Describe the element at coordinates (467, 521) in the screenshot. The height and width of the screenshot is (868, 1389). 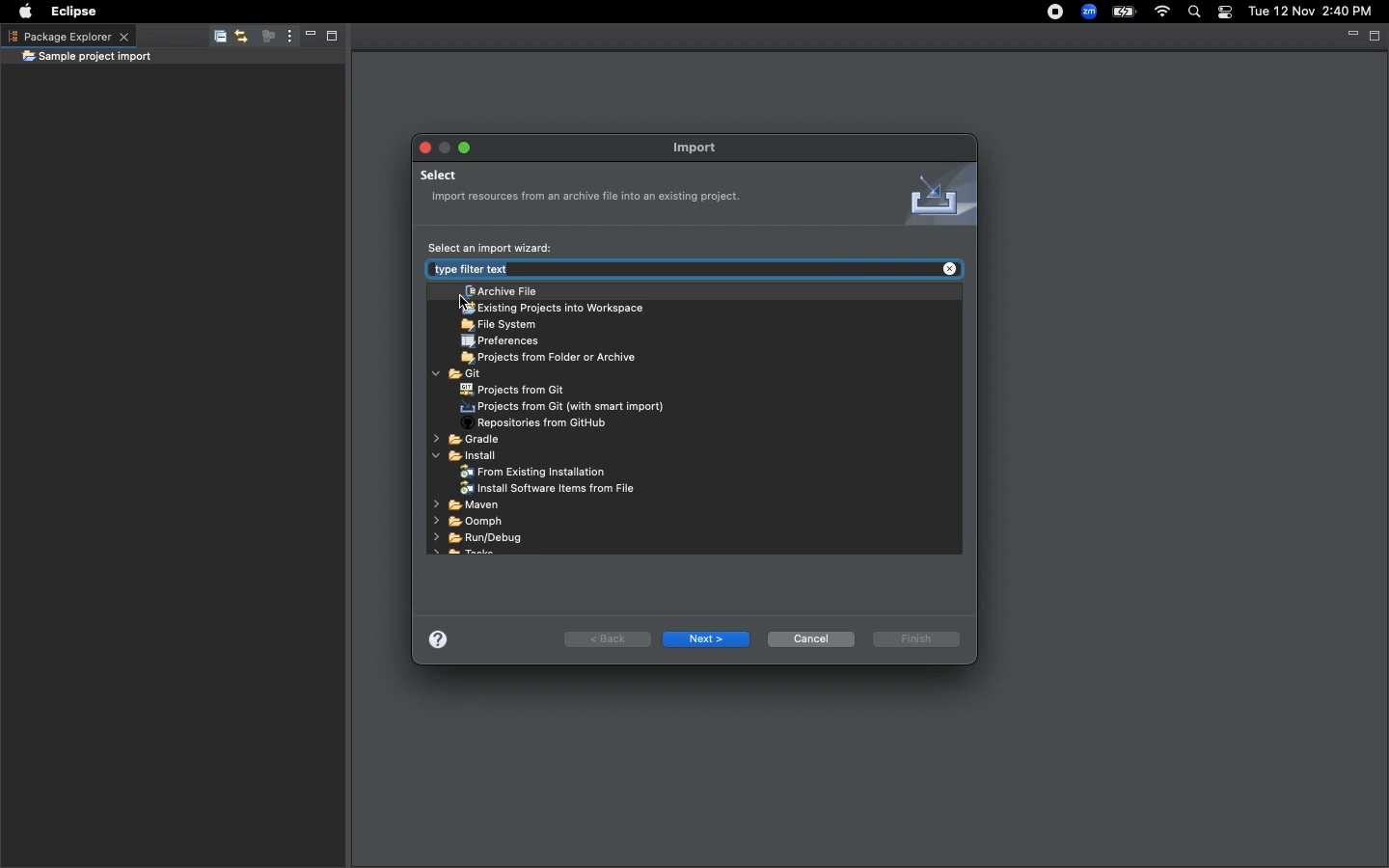
I see `Oomph` at that location.